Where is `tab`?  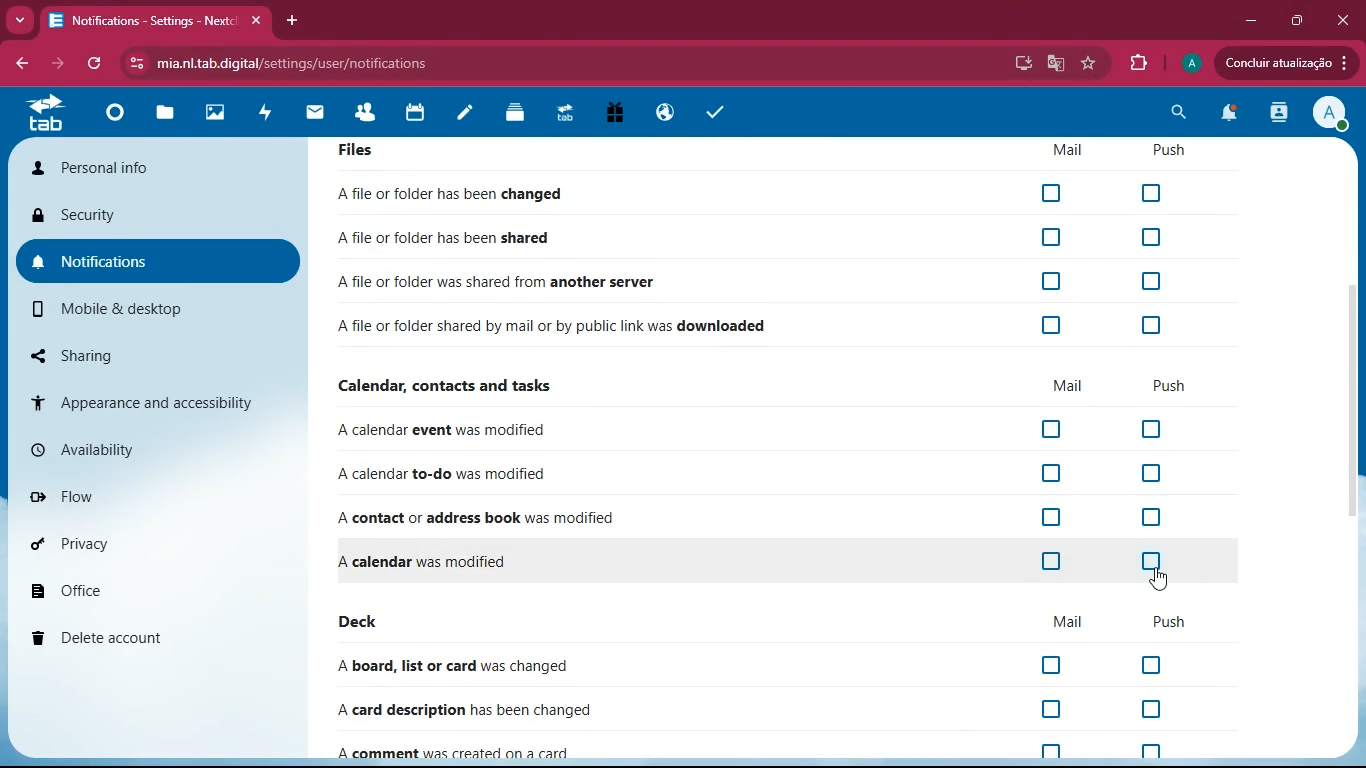 tab is located at coordinates (569, 116).